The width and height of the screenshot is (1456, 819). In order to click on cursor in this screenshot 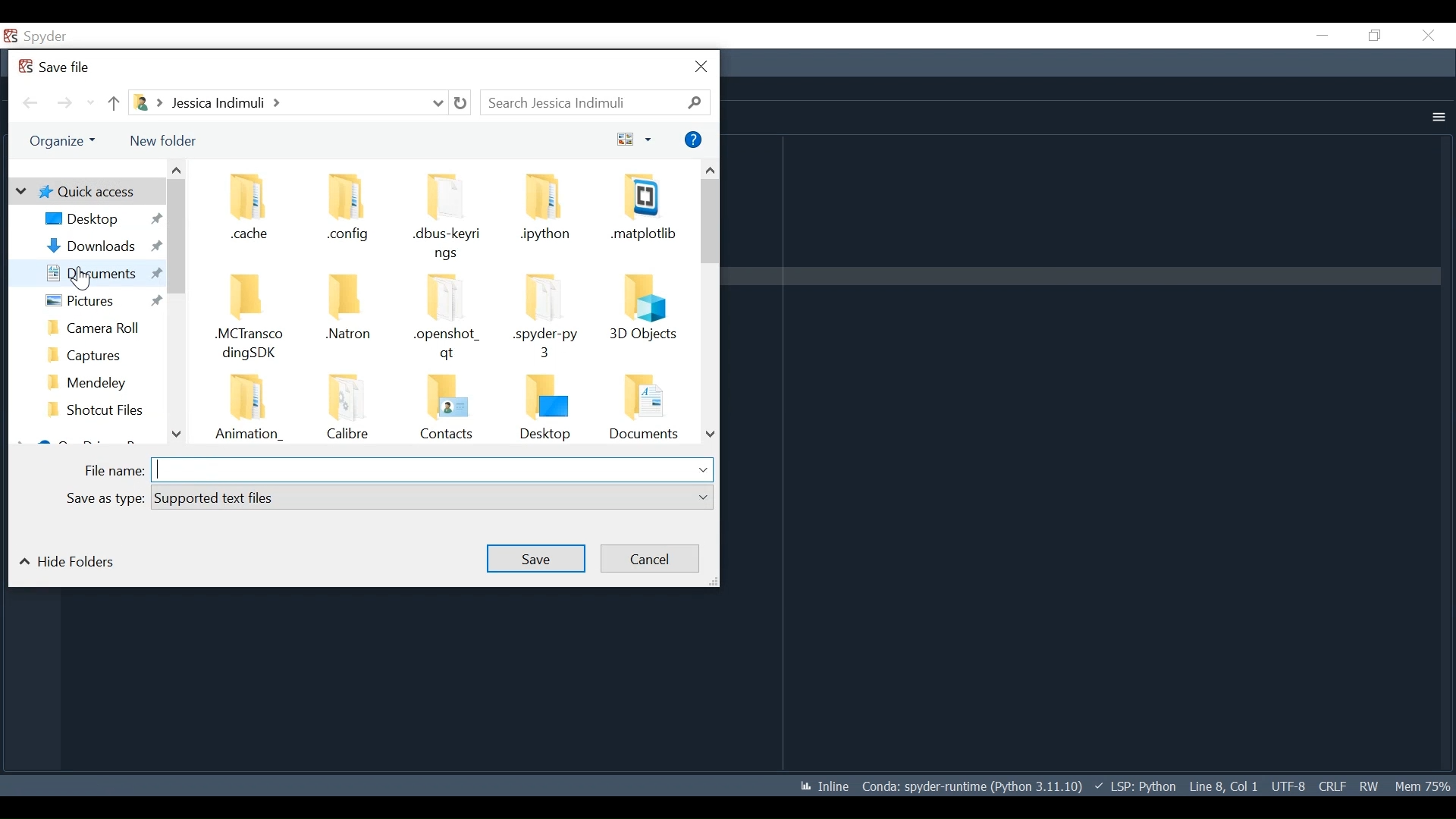, I will do `click(81, 278)`.